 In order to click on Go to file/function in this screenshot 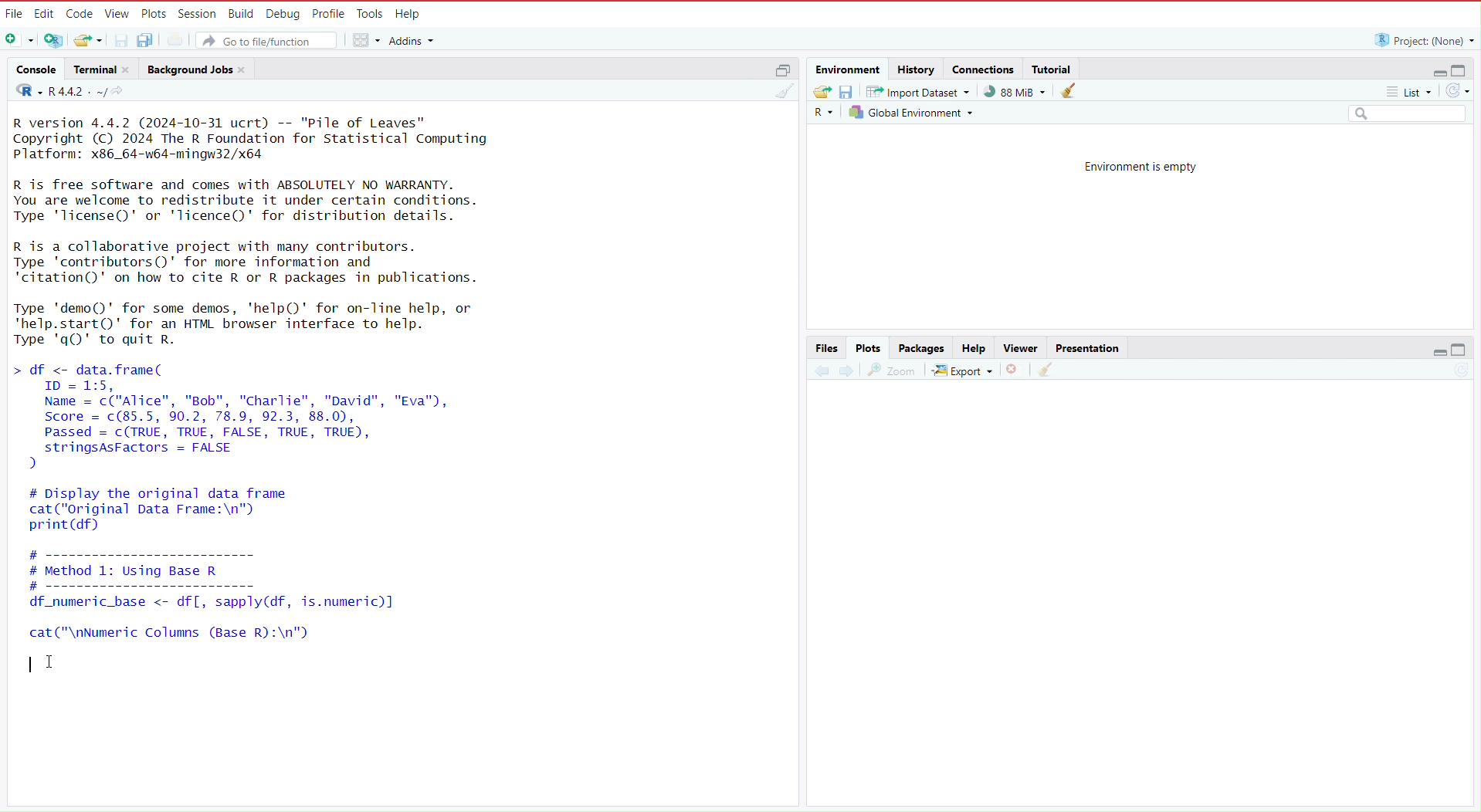, I will do `click(269, 39)`.